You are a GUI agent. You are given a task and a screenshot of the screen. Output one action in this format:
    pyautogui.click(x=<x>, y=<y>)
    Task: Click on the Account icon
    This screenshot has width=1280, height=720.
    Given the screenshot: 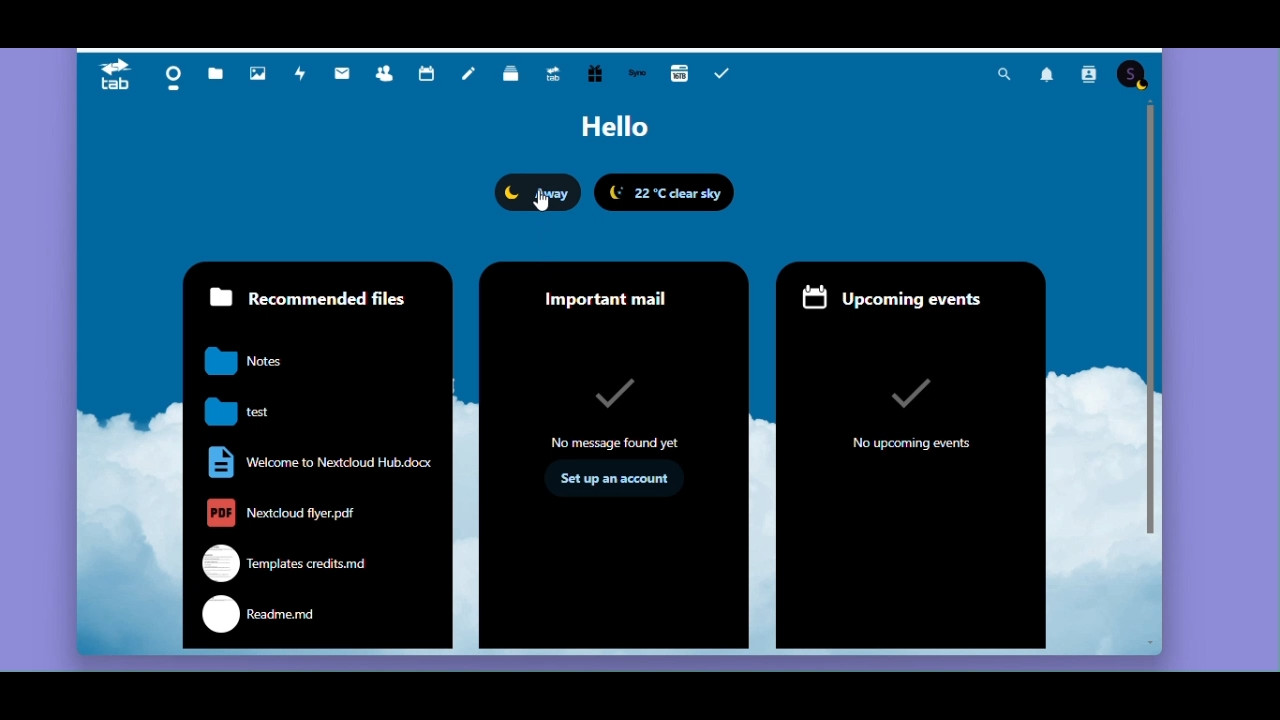 What is the action you would take?
    pyautogui.click(x=1133, y=76)
    